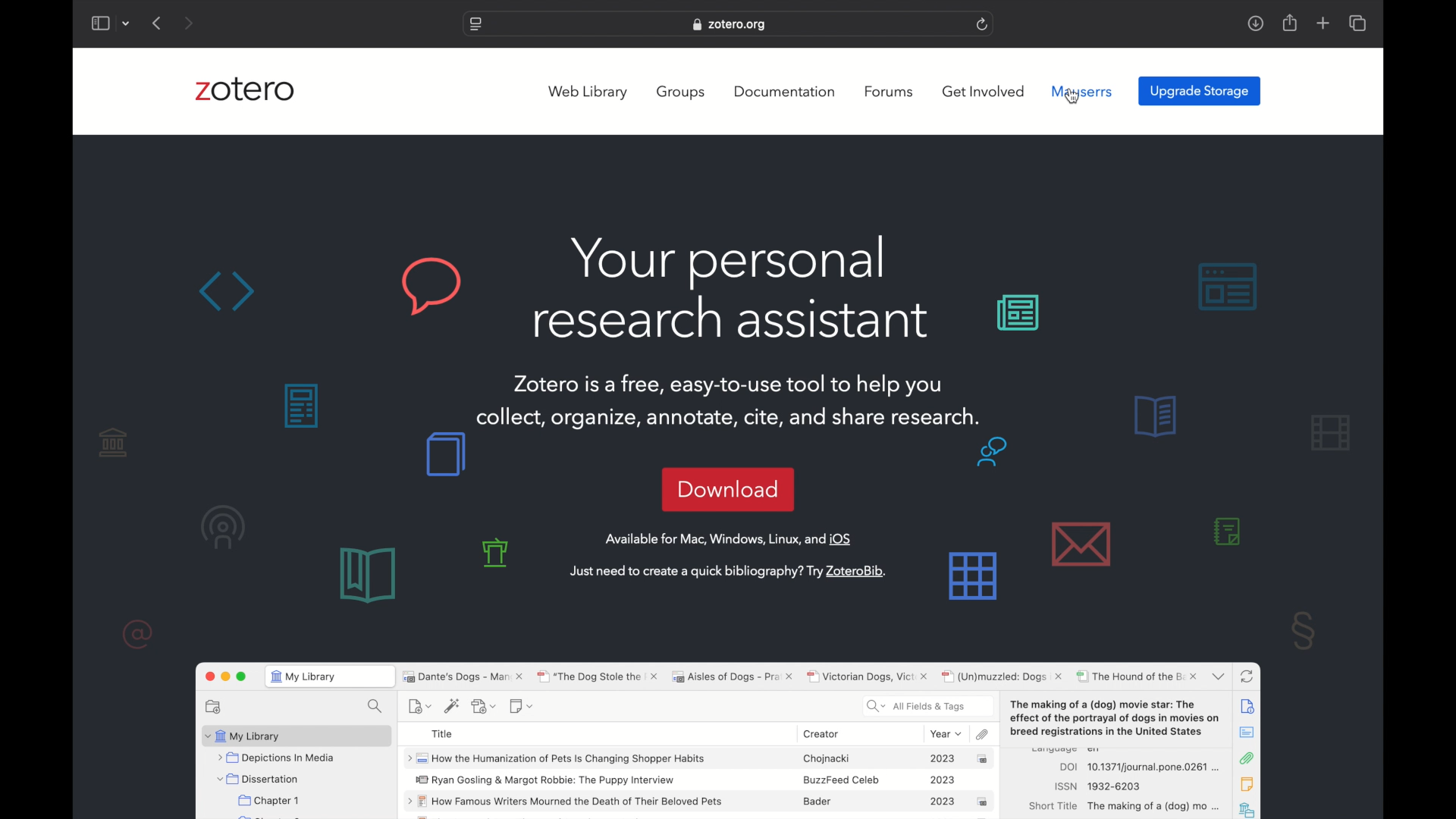 The image size is (1456, 819). I want to click on zotero, so click(245, 92).